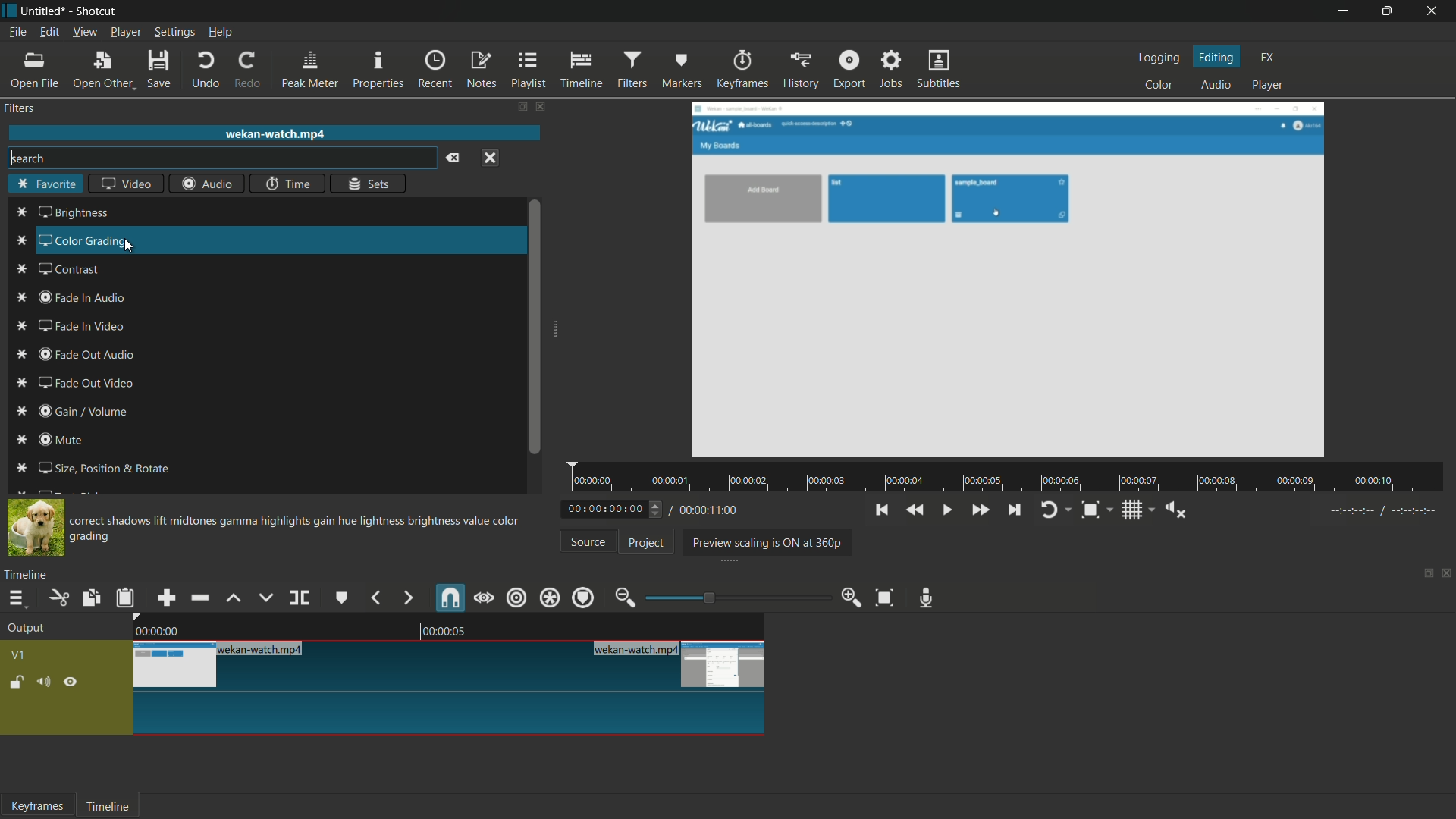  What do you see at coordinates (1177, 510) in the screenshot?
I see `show volume control` at bounding box center [1177, 510].